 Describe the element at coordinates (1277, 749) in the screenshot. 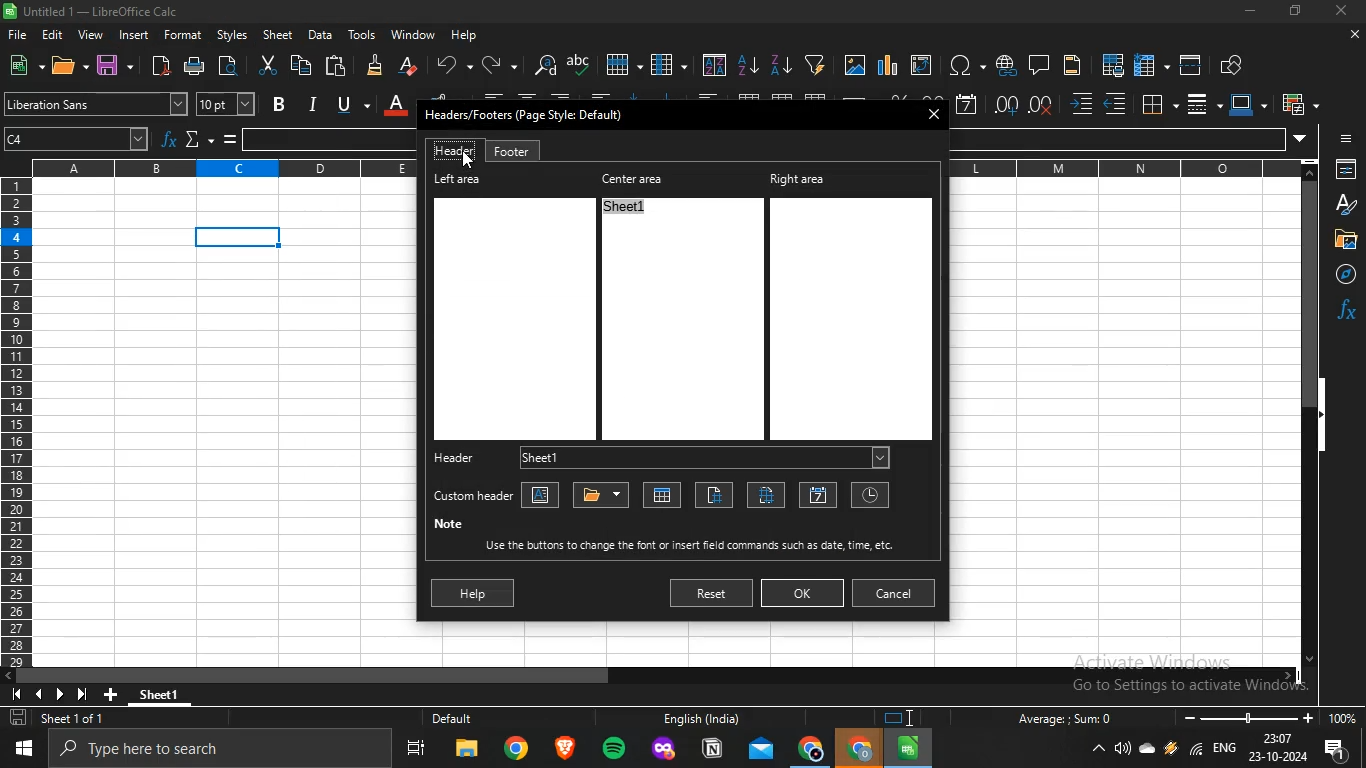

I see `date and time` at that location.